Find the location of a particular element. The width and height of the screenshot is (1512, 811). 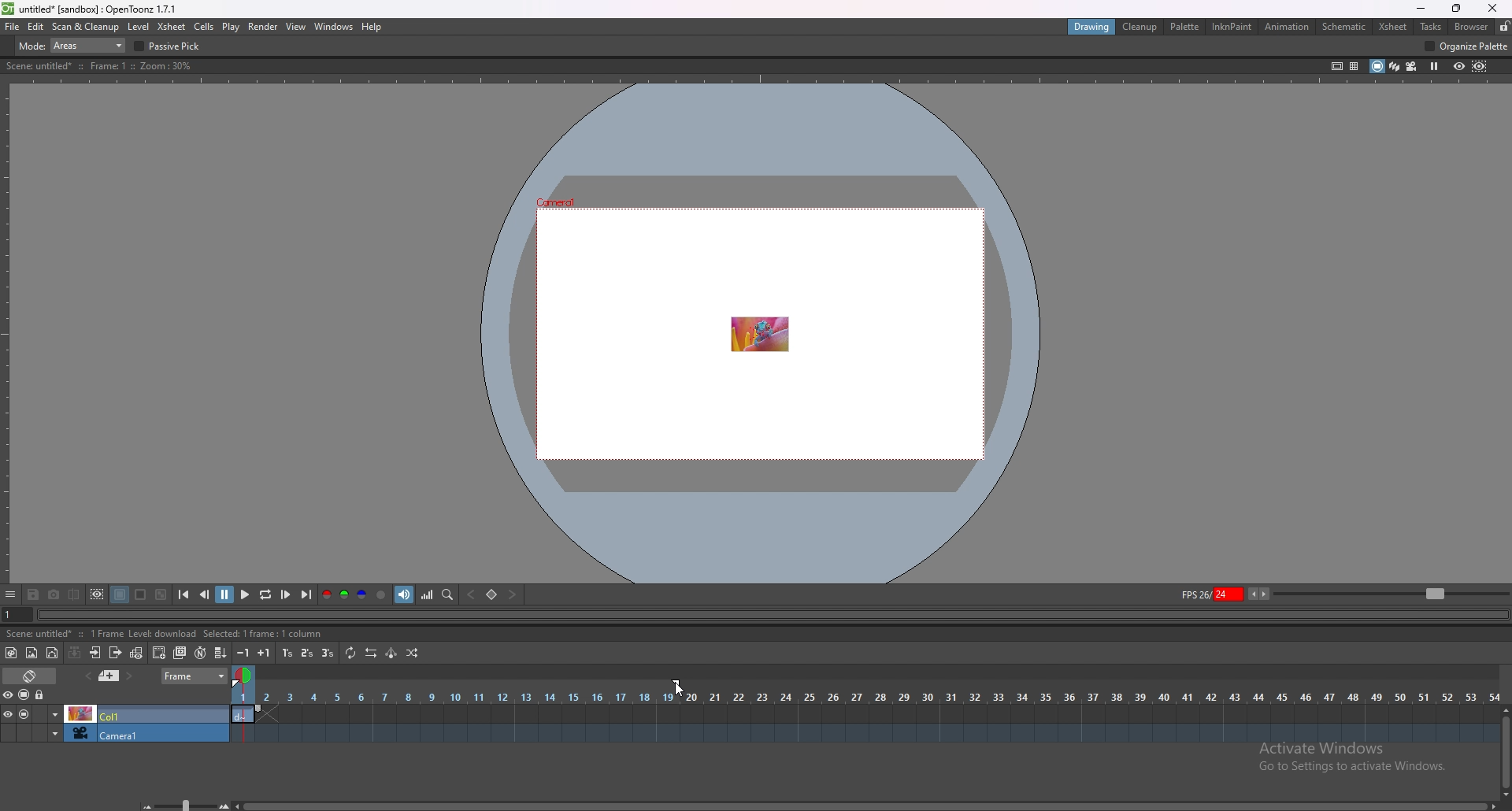

browser is located at coordinates (1473, 26).